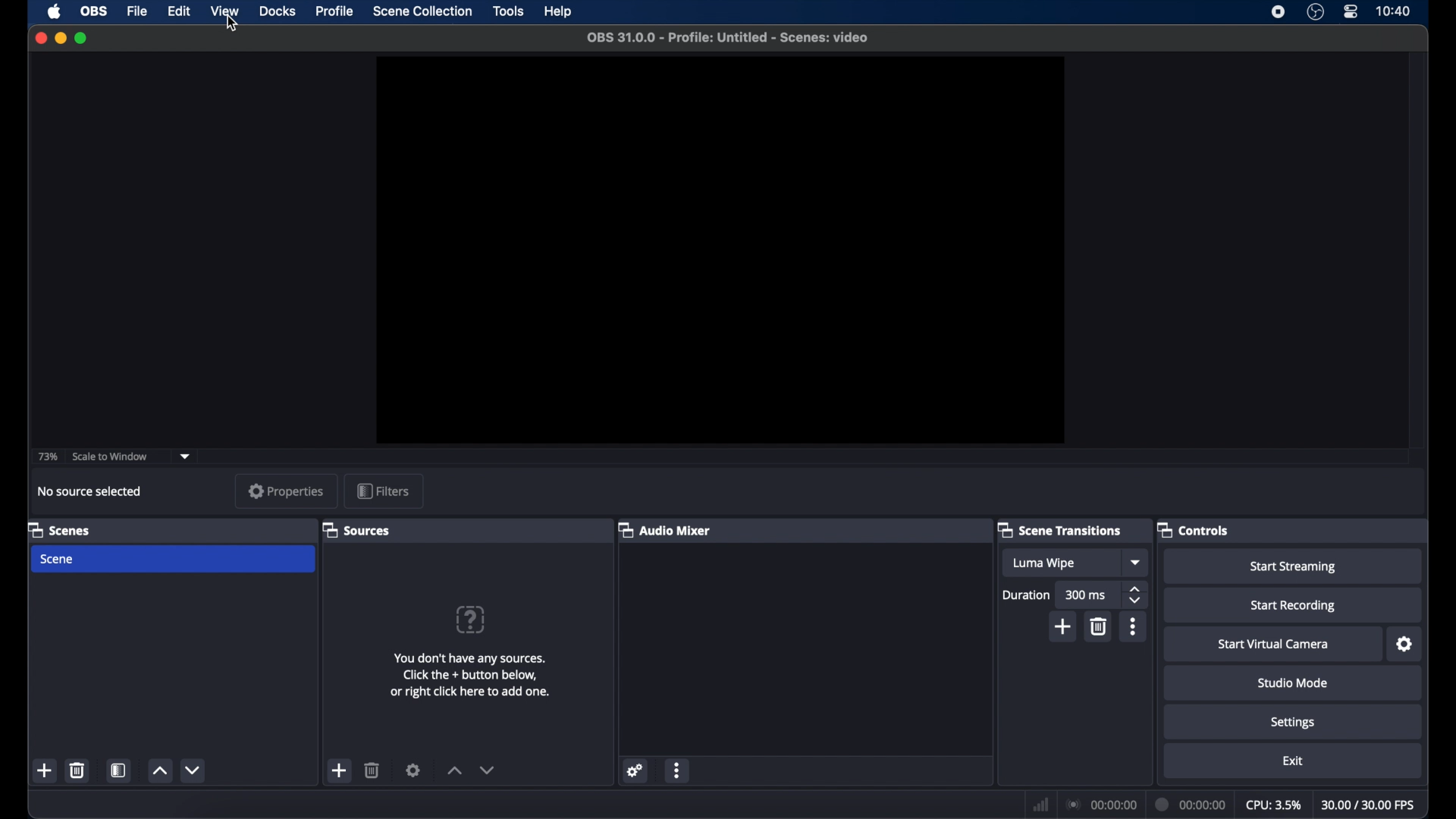 Image resolution: width=1456 pixels, height=819 pixels. Describe the element at coordinates (47, 457) in the screenshot. I see `73%` at that location.